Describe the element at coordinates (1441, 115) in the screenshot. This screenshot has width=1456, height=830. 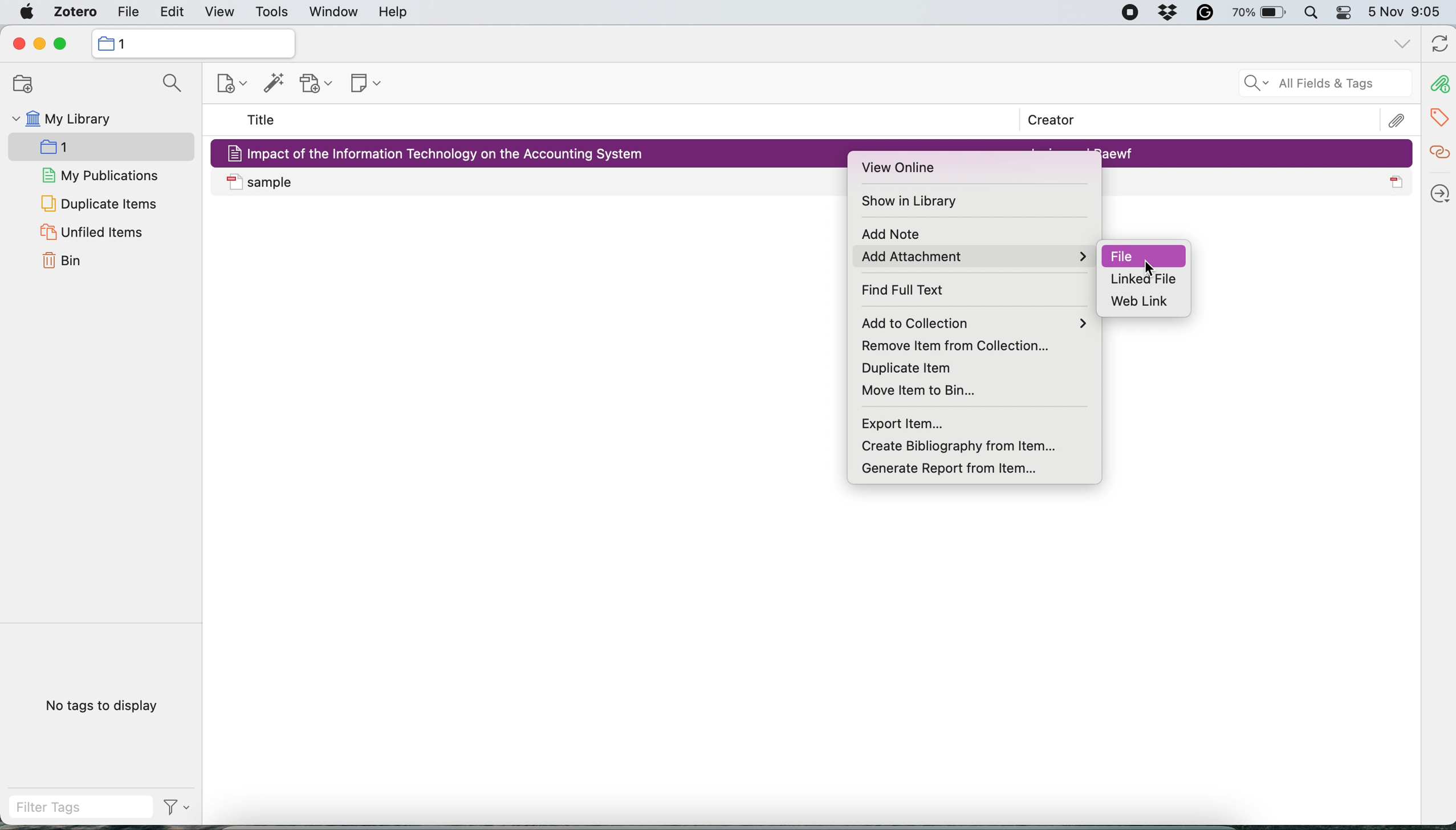
I see `tags` at that location.